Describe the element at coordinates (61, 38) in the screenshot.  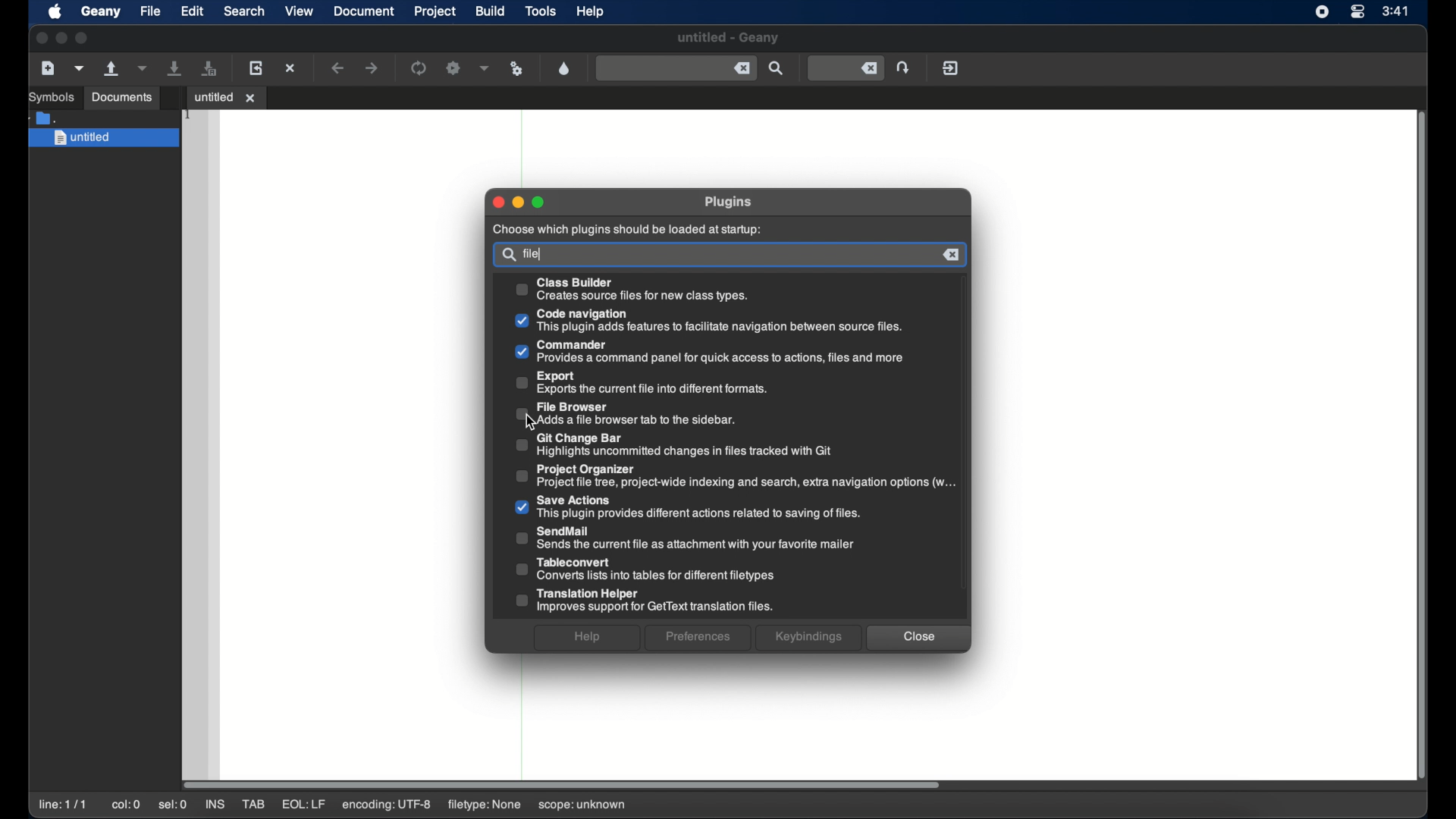
I see `minimize` at that location.